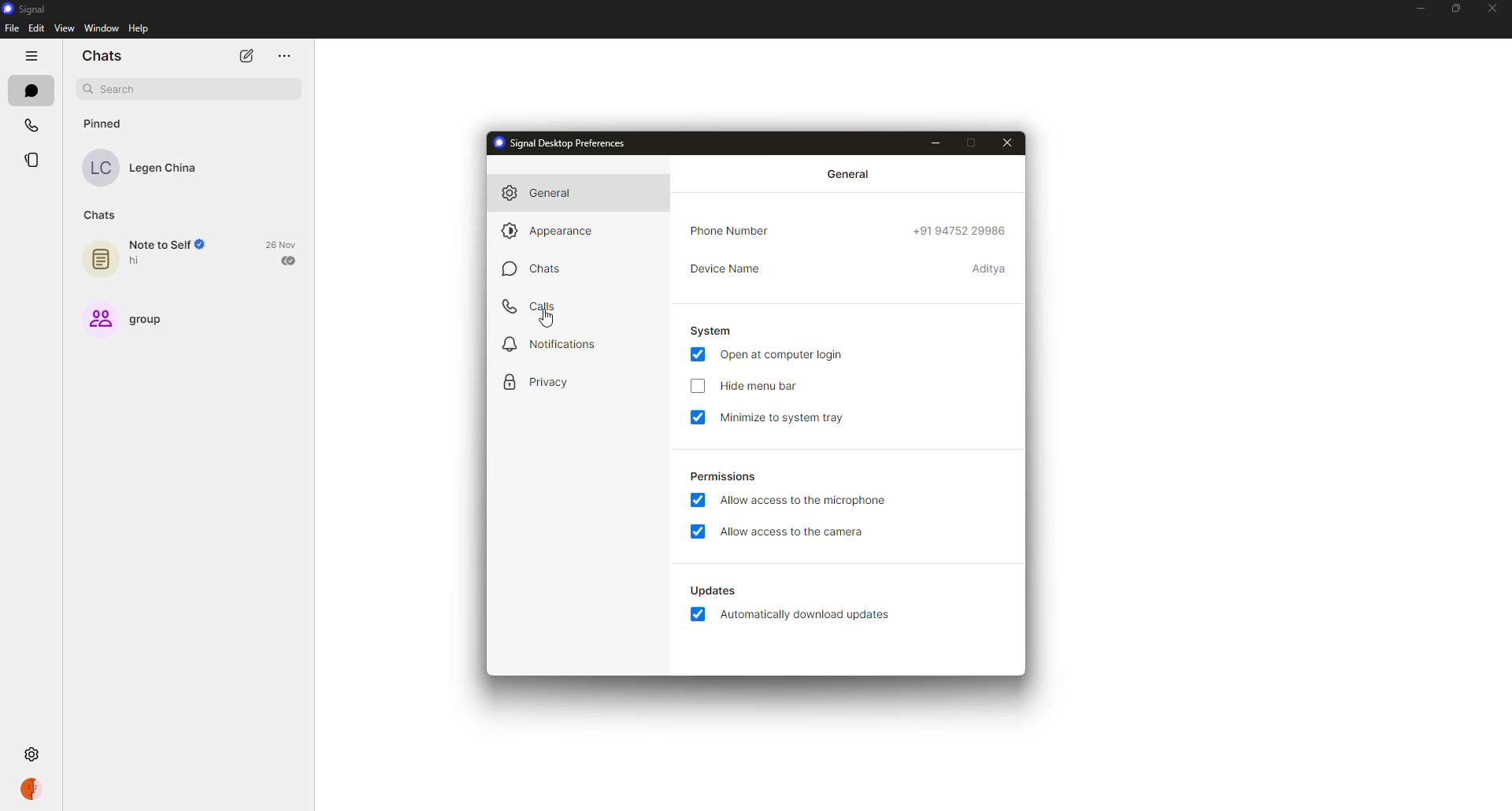 The width and height of the screenshot is (1512, 811). Describe the element at coordinates (34, 791) in the screenshot. I see `profile` at that location.